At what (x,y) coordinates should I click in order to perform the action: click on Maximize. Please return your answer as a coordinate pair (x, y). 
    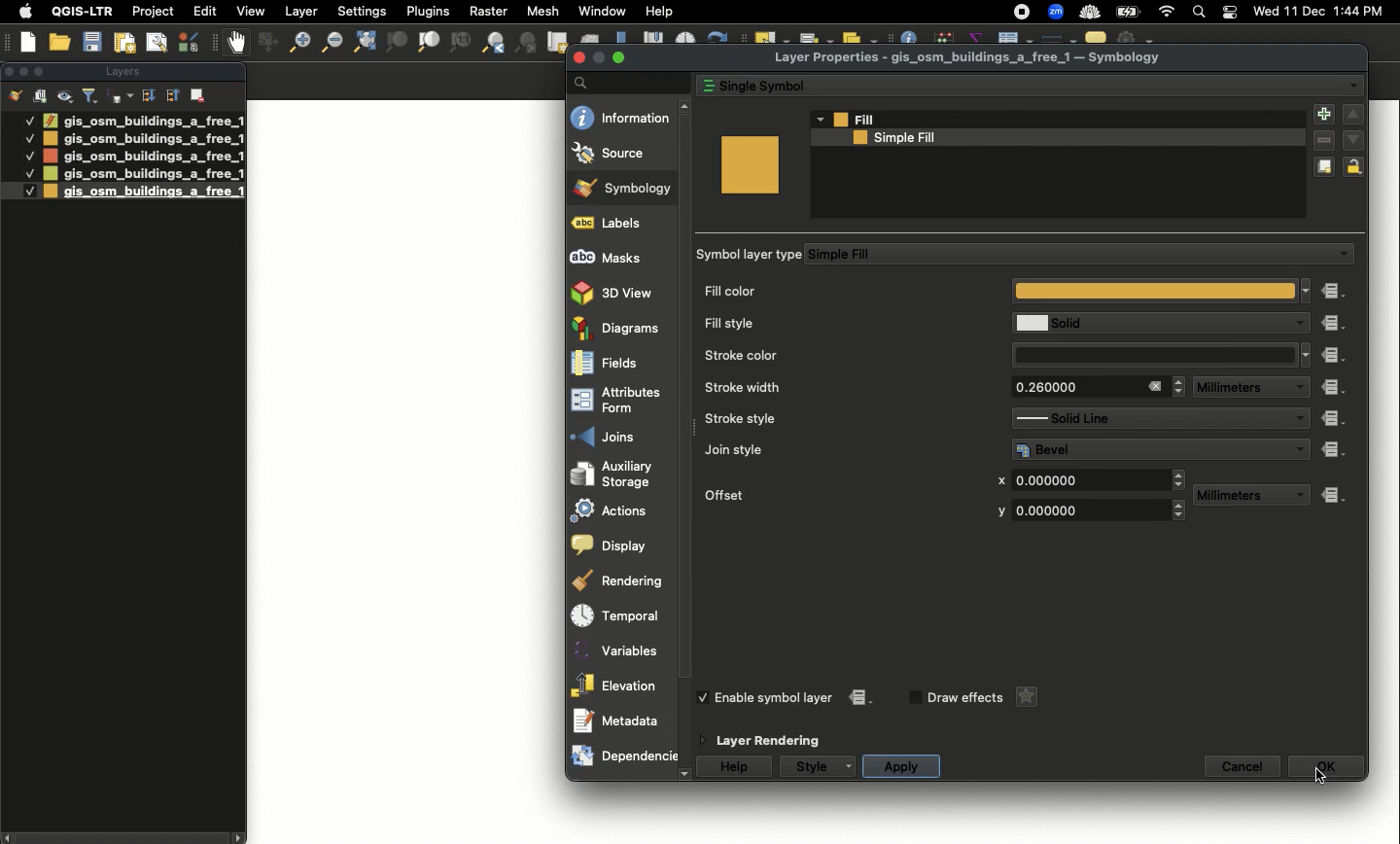
    Looking at the image, I should click on (43, 71).